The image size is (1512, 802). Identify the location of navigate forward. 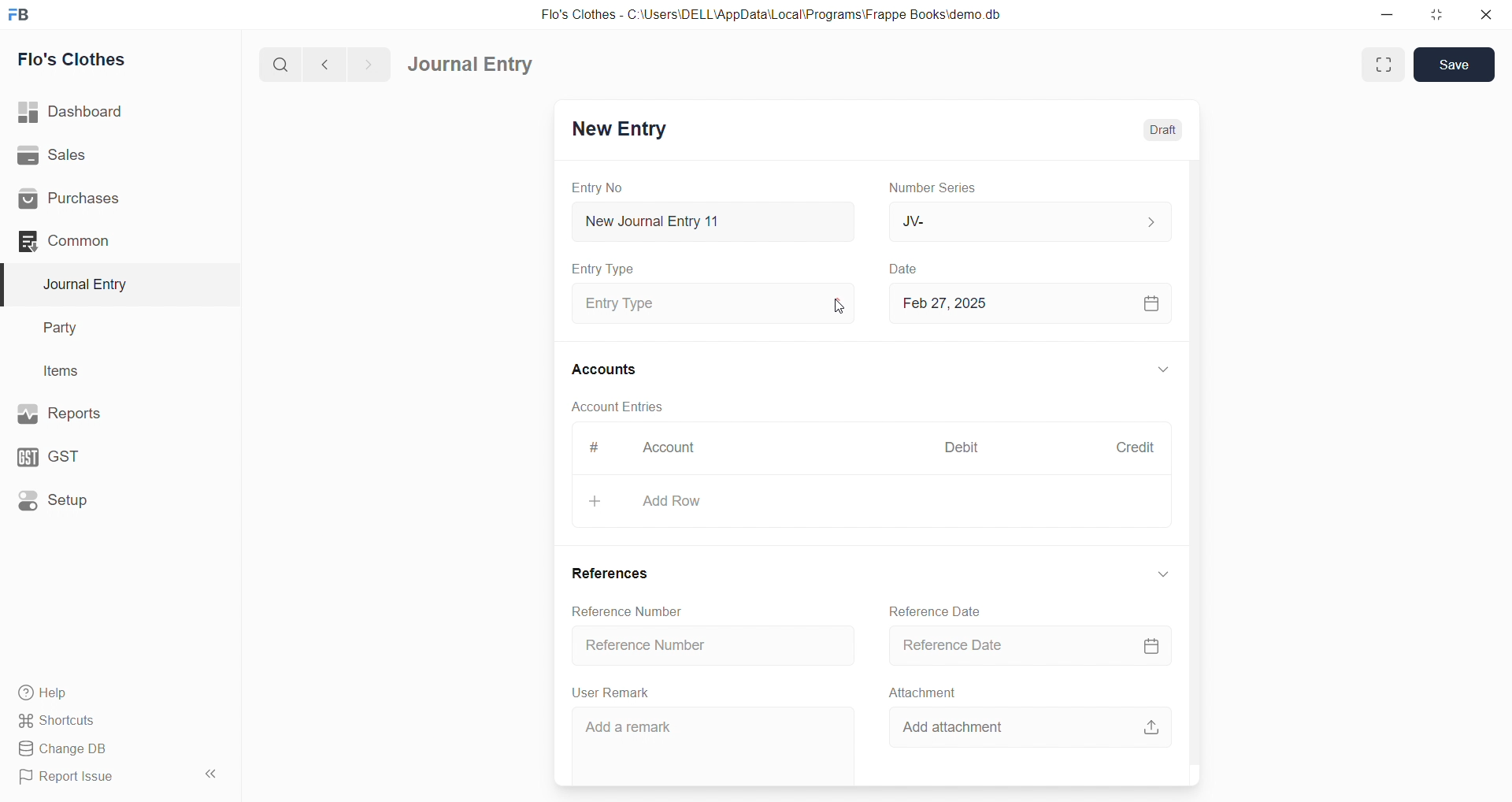
(372, 64).